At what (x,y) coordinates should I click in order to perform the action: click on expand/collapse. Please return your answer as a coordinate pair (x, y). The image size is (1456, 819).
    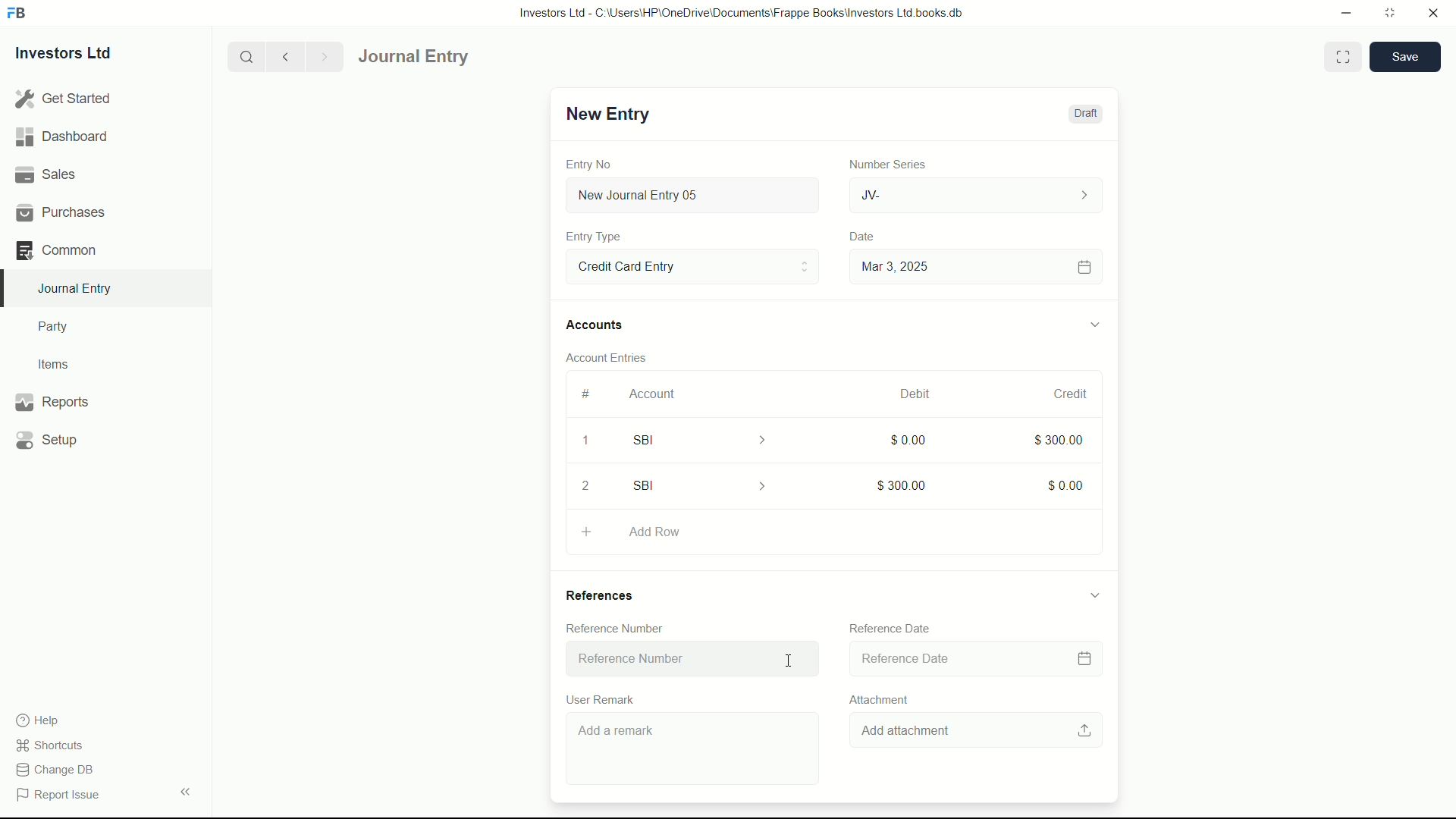
    Looking at the image, I should click on (1094, 322).